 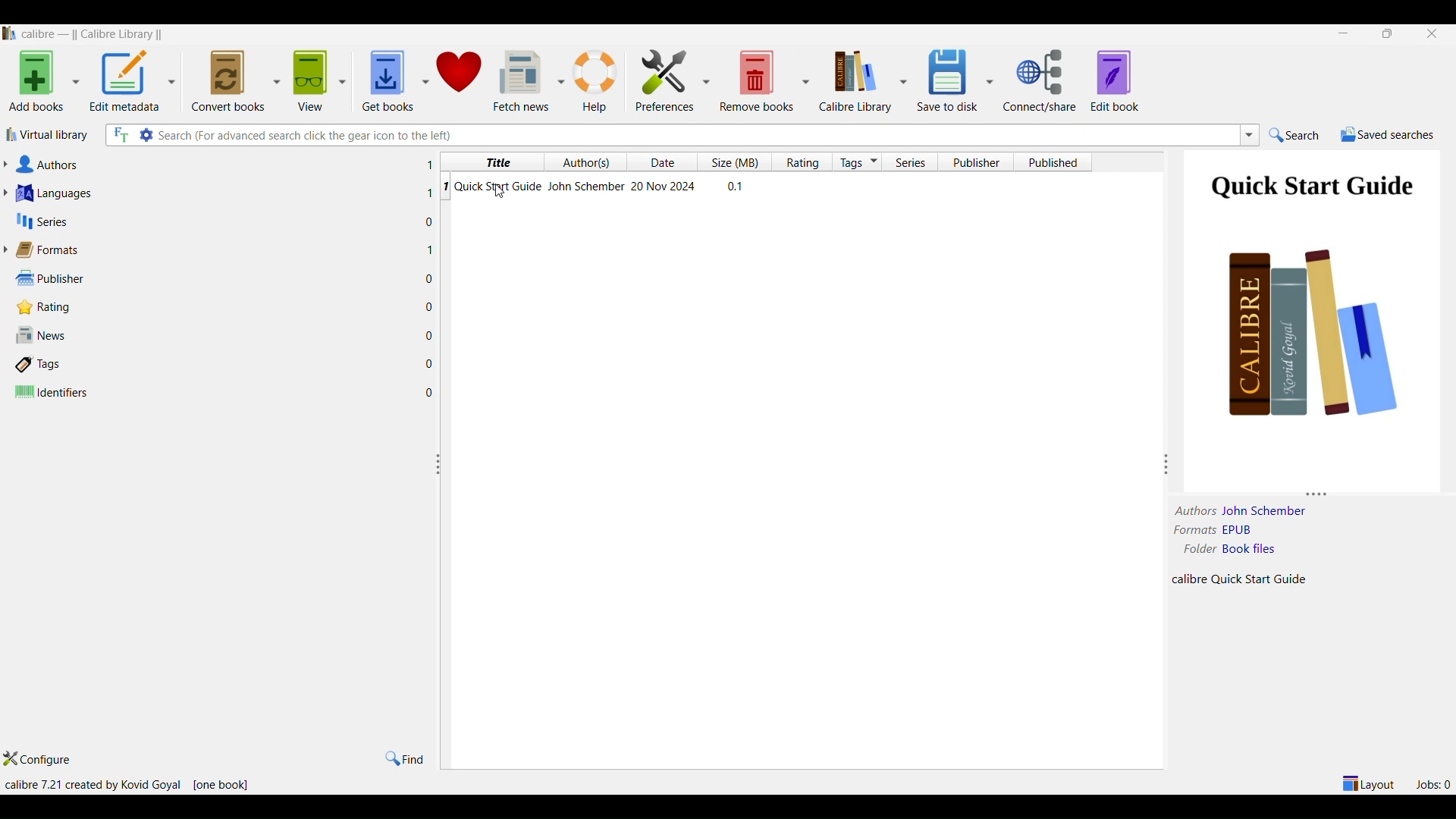 I want to click on publisher, so click(x=224, y=278).